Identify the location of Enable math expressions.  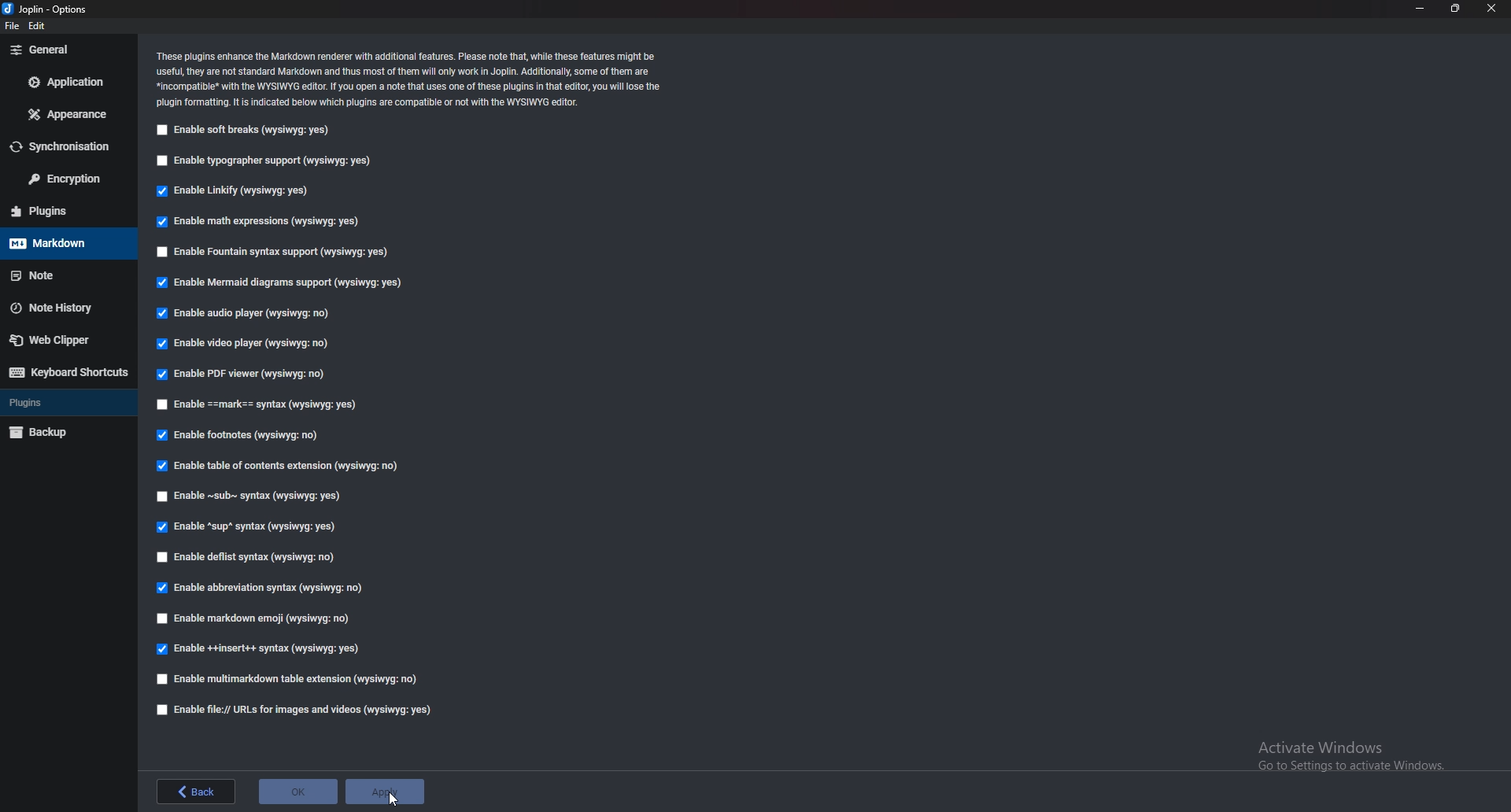
(260, 223).